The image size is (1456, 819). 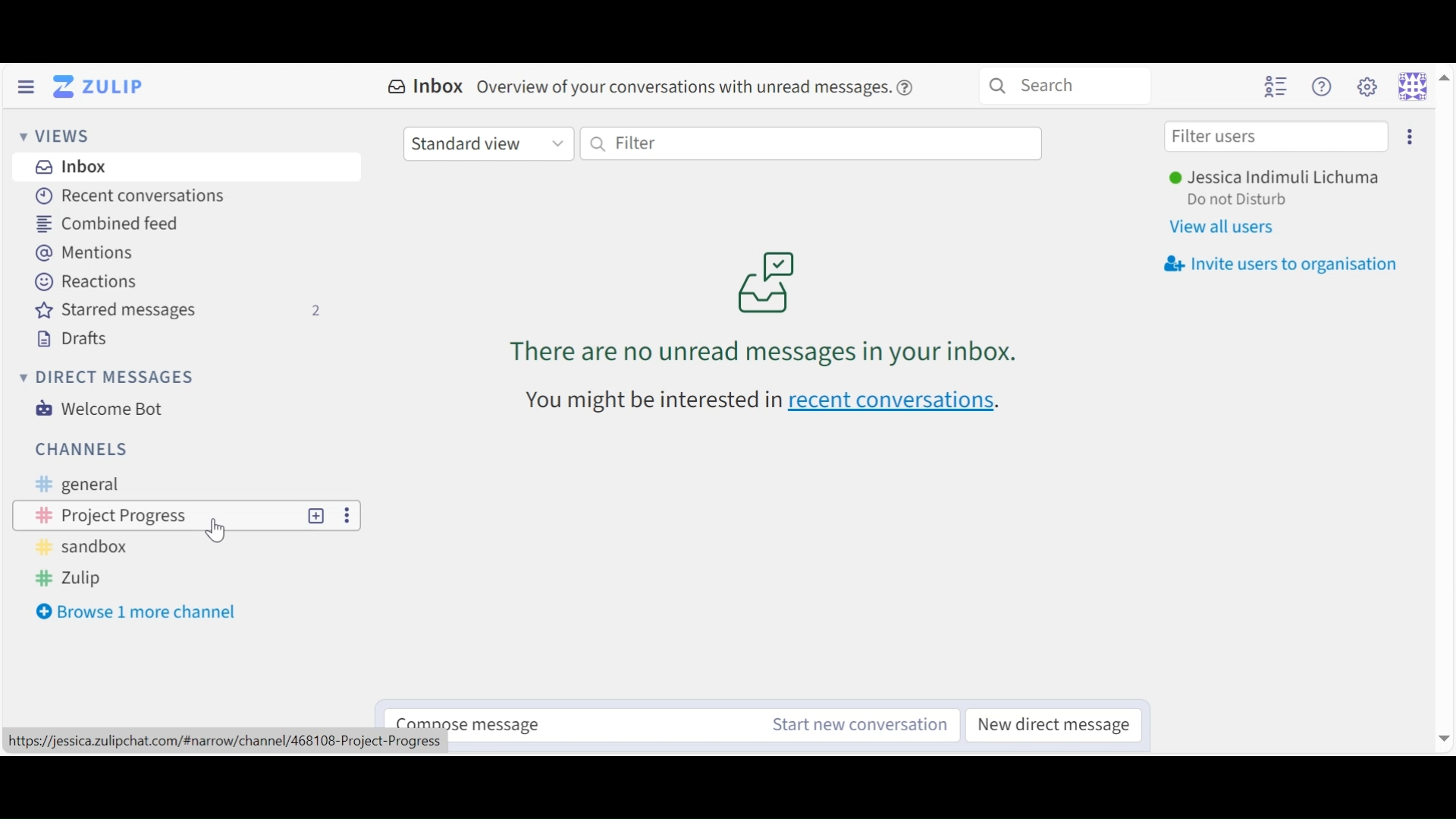 I want to click on url, so click(x=228, y=742).